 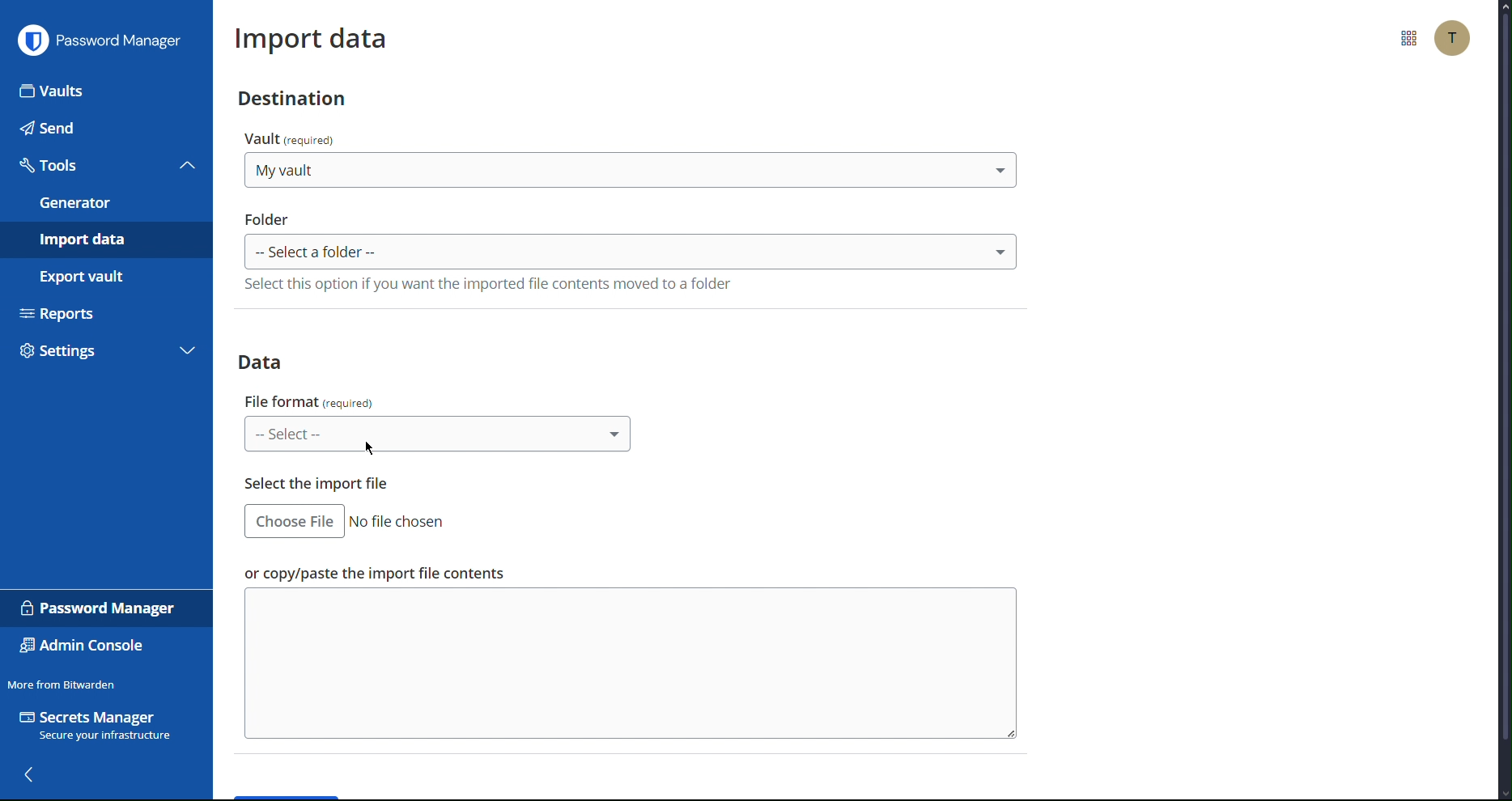 What do you see at coordinates (105, 239) in the screenshot?
I see `Import data` at bounding box center [105, 239].